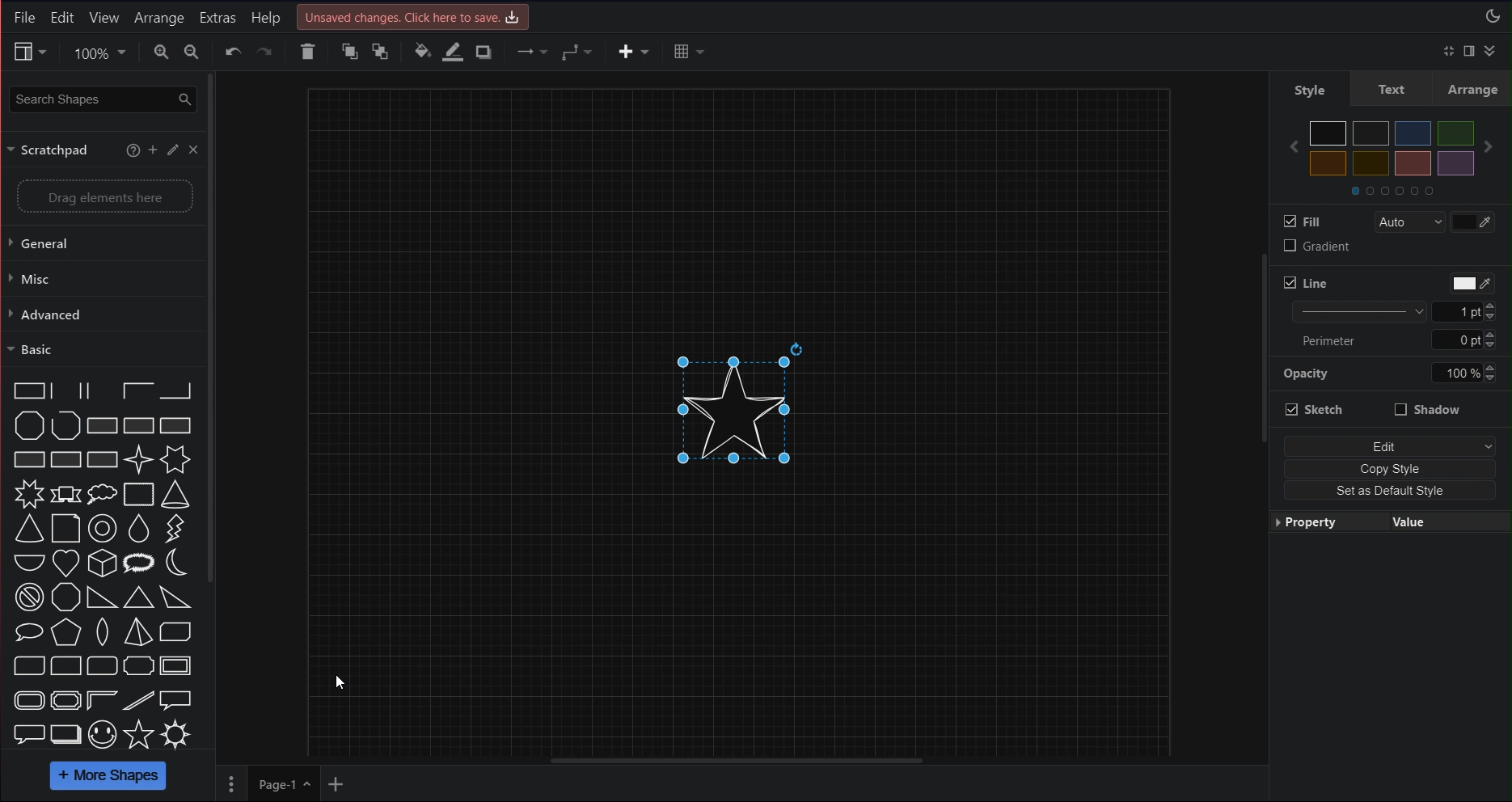  I want to click on corner rounded rectangle, so click(65, 665).